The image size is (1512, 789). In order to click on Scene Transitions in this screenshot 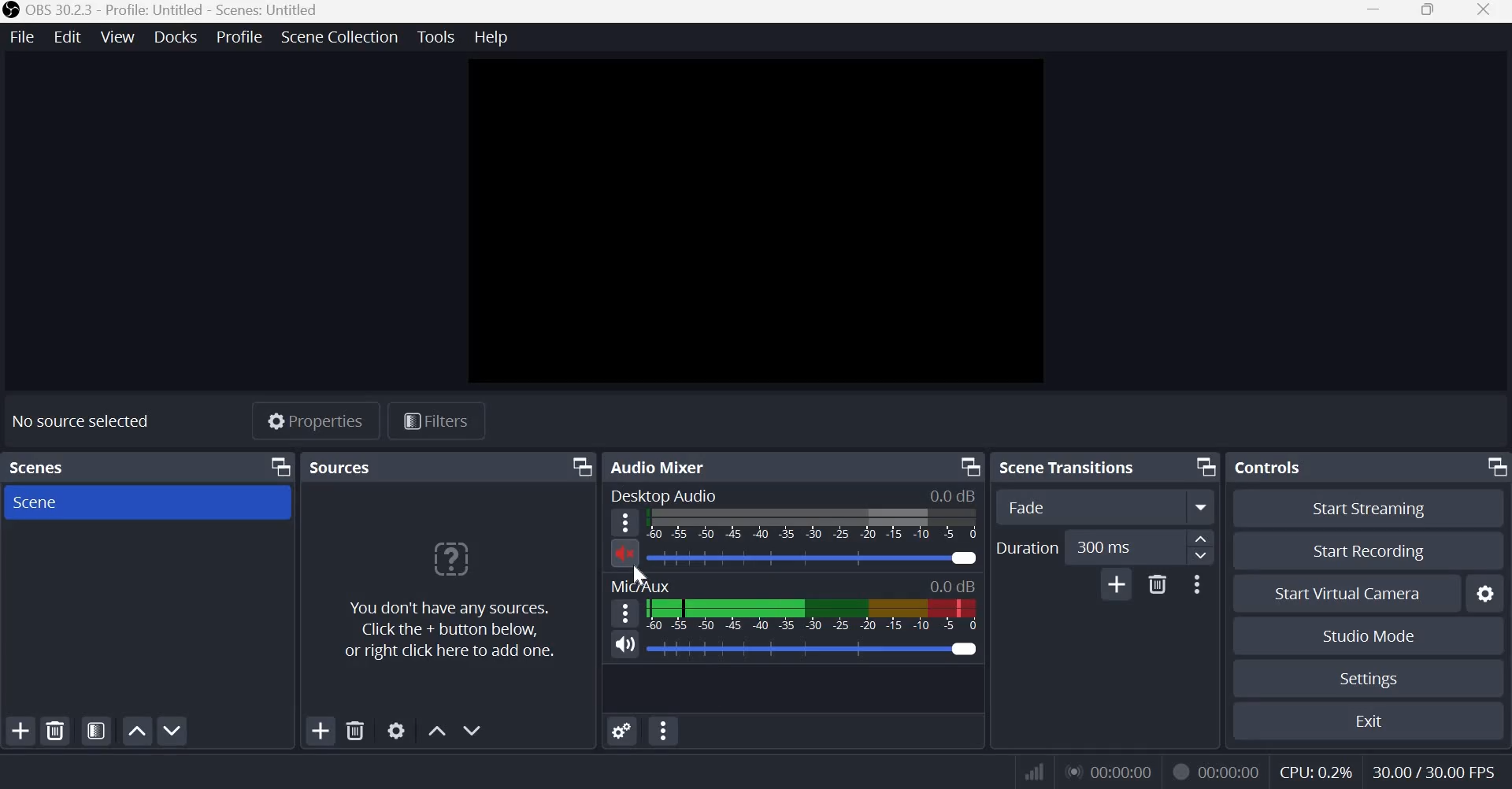, I will do `click(1074, 467)`.